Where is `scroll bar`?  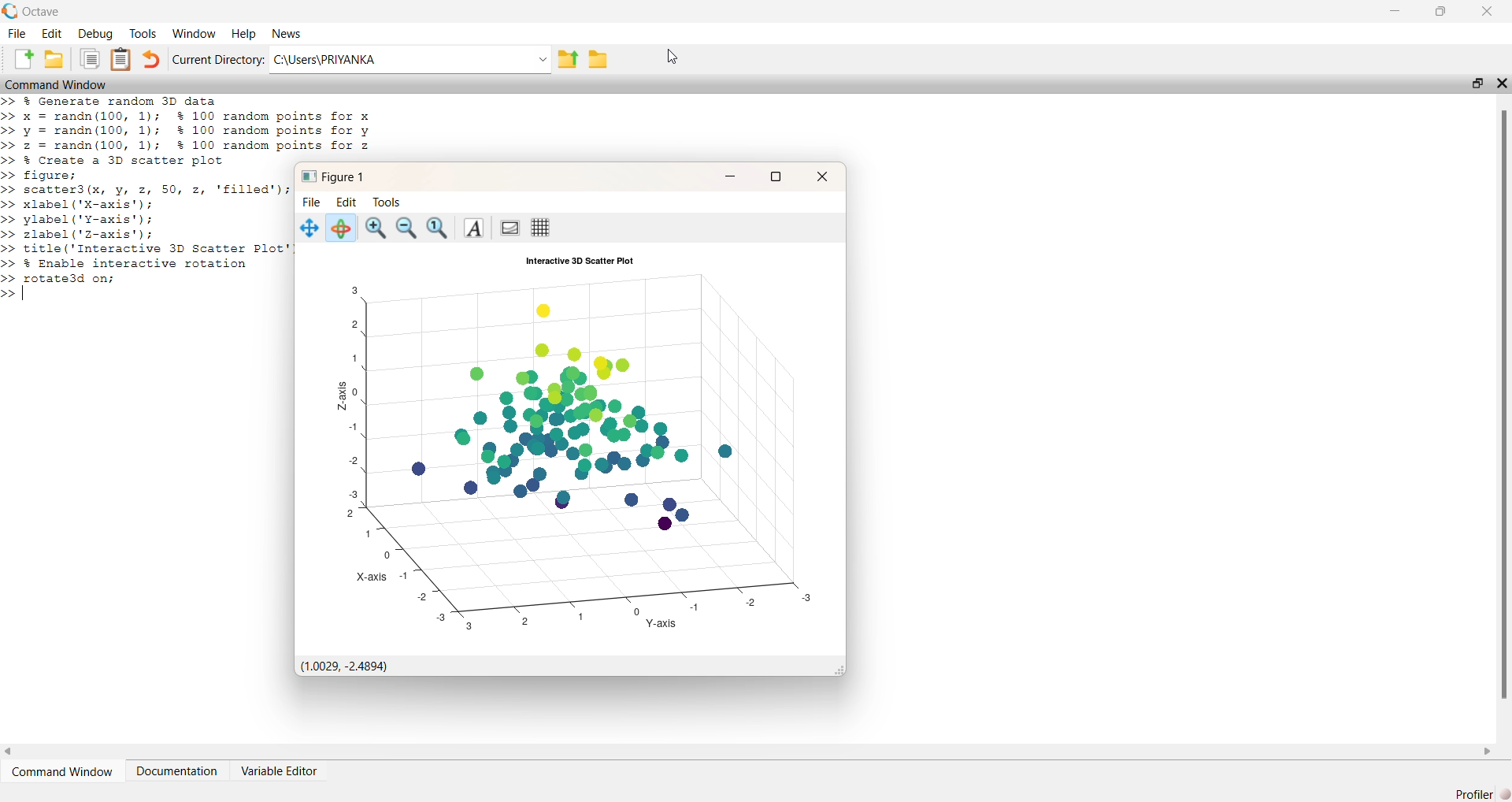 scroll bar is located at coordinates (1502, 403).